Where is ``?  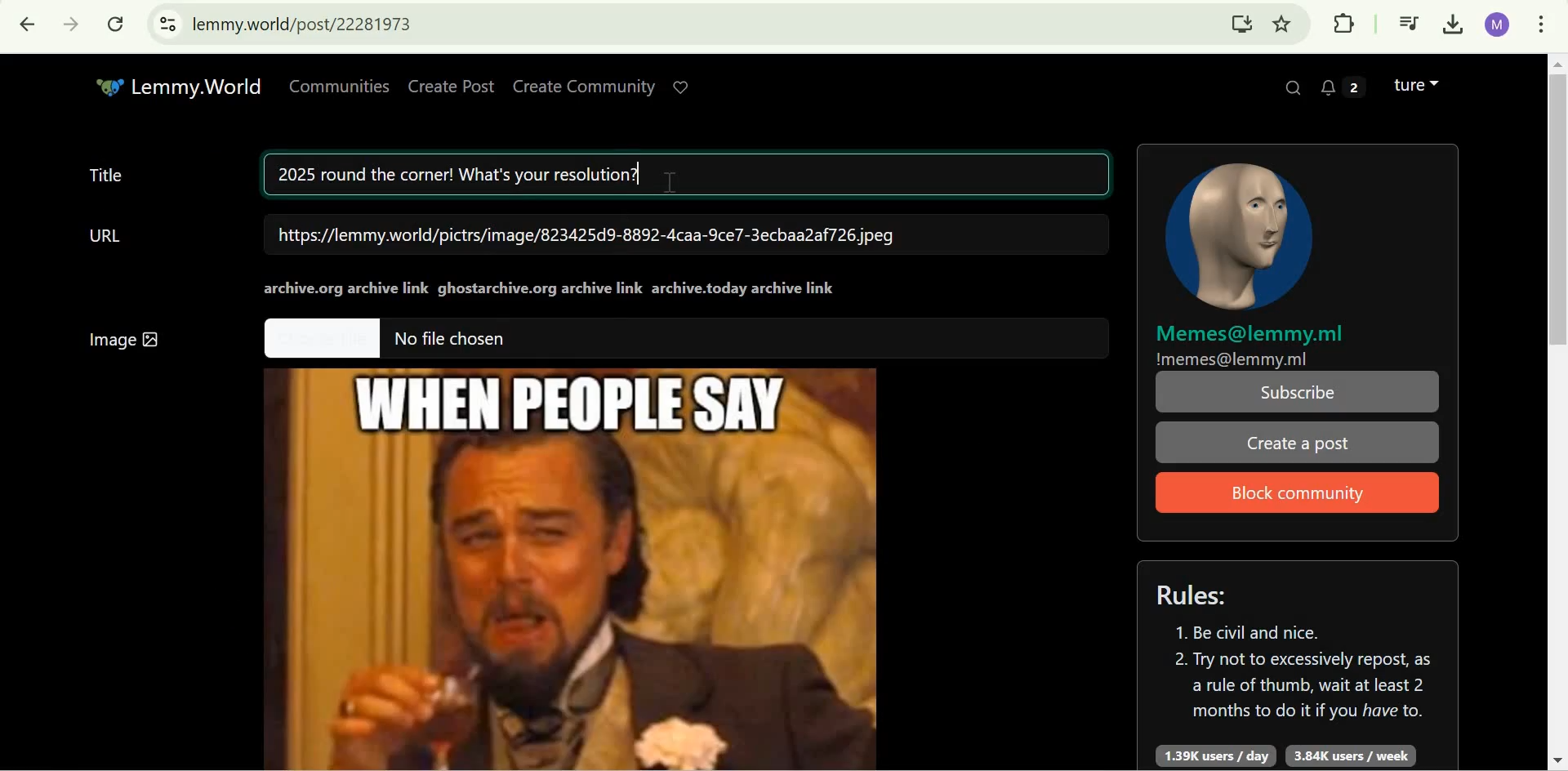
 is located at coordinates (321, 339).